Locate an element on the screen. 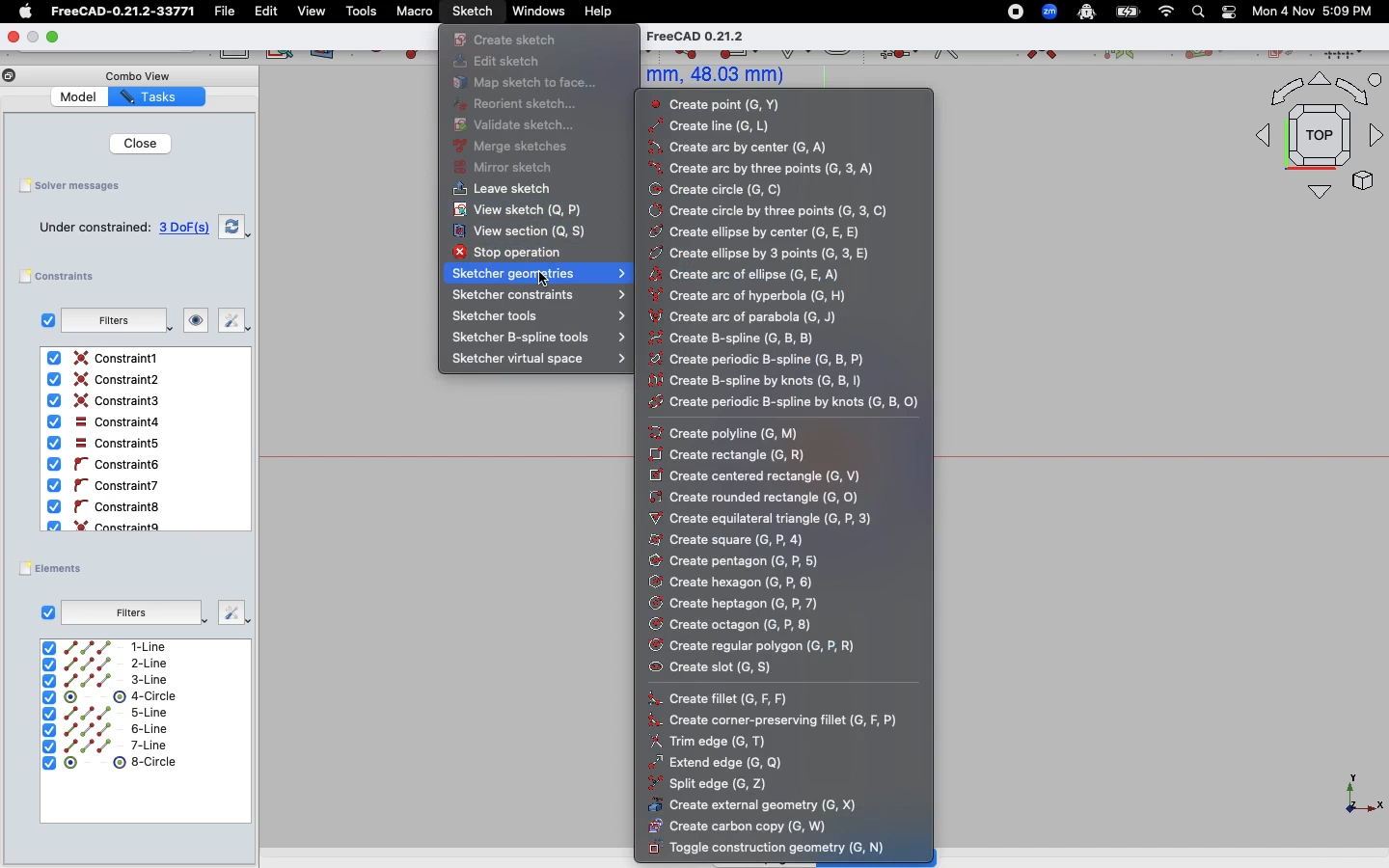  5-line is located at coordinates (107, 713).